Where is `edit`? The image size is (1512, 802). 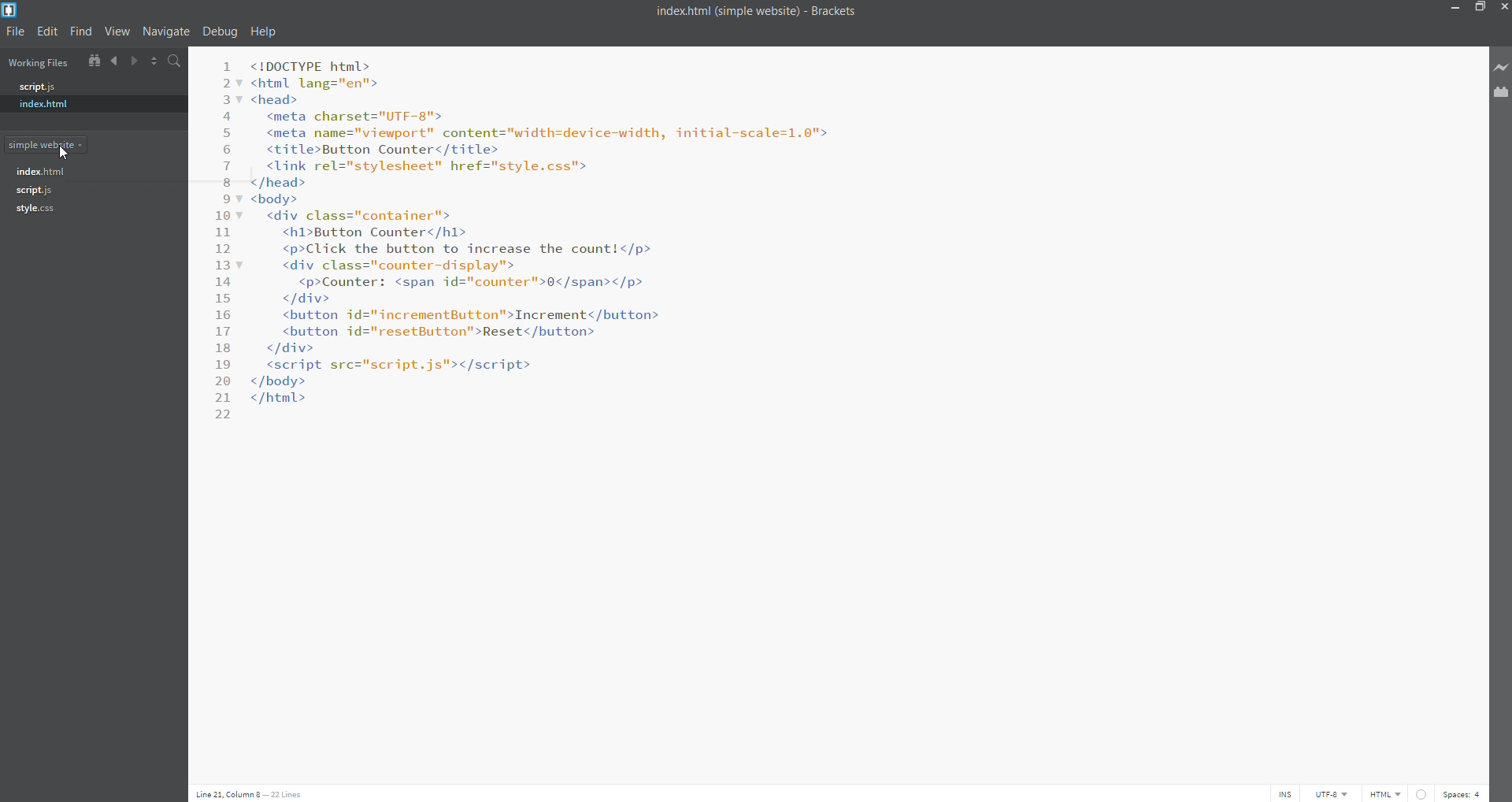
edit is located at coordinates (50, 31).